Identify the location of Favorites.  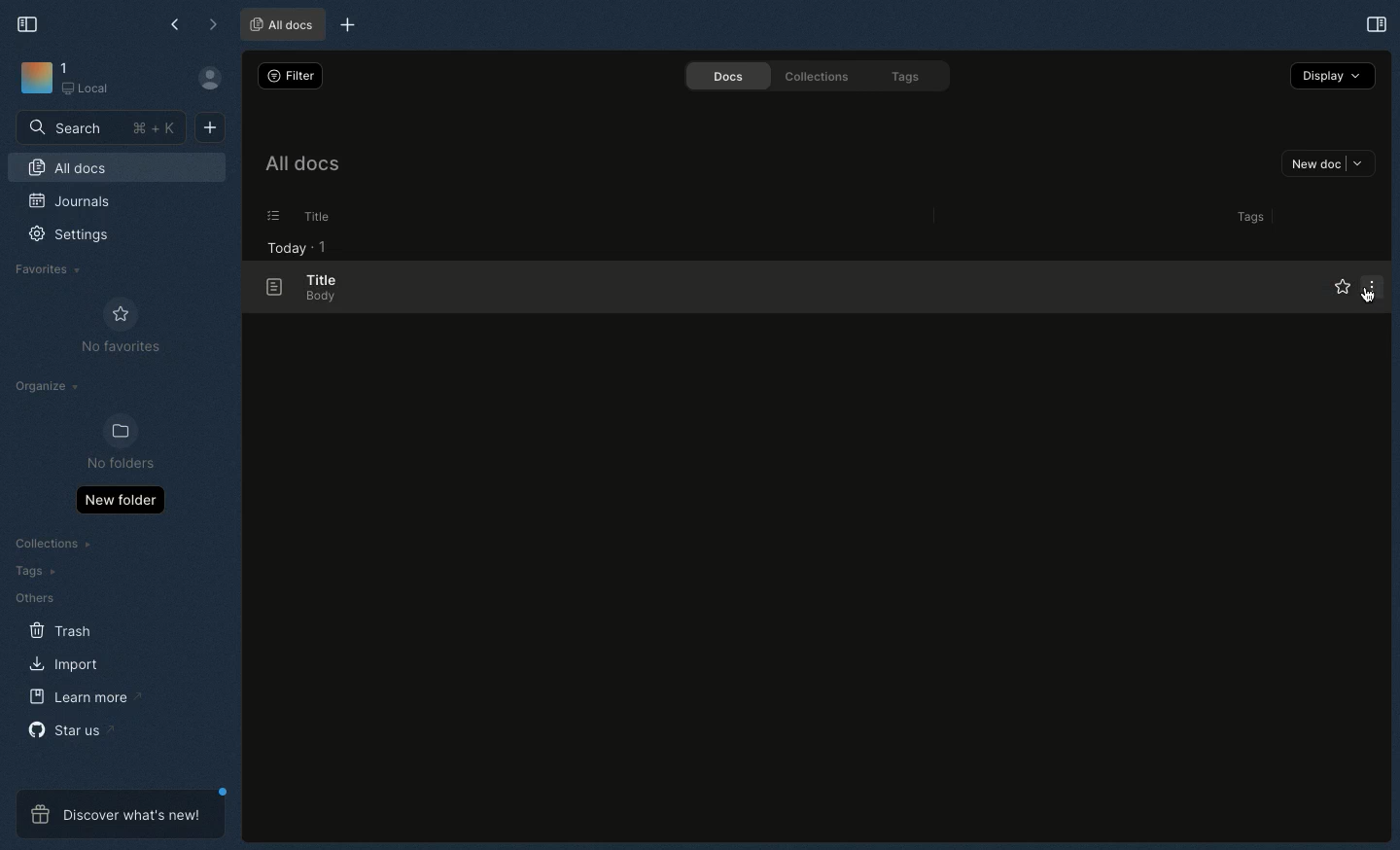
(49, 269).